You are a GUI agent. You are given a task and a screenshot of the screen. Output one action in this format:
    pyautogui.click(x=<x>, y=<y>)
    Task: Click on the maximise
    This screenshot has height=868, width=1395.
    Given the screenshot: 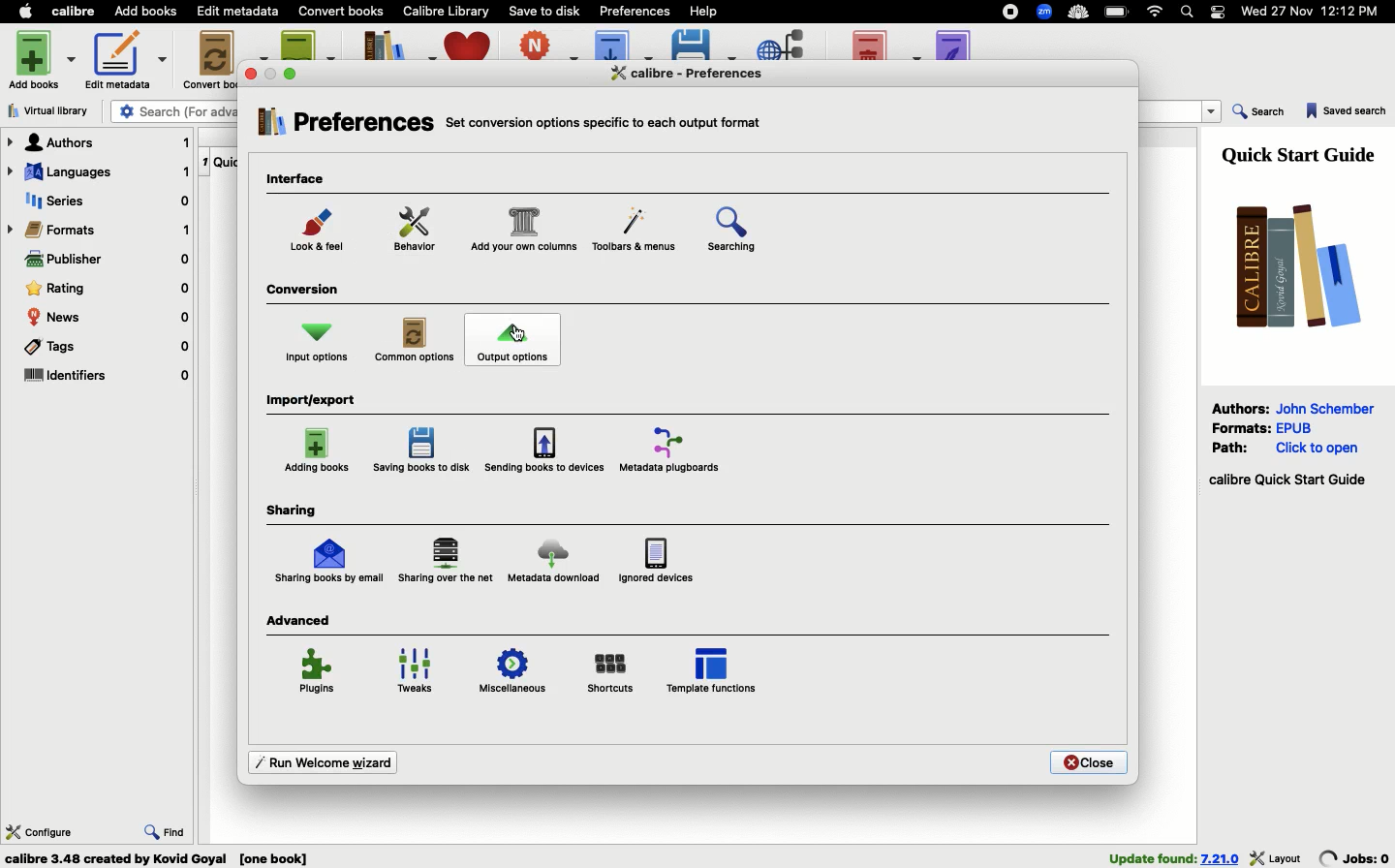 What is the action you would take?
    pyautogui.click(x=293, y=73)
    